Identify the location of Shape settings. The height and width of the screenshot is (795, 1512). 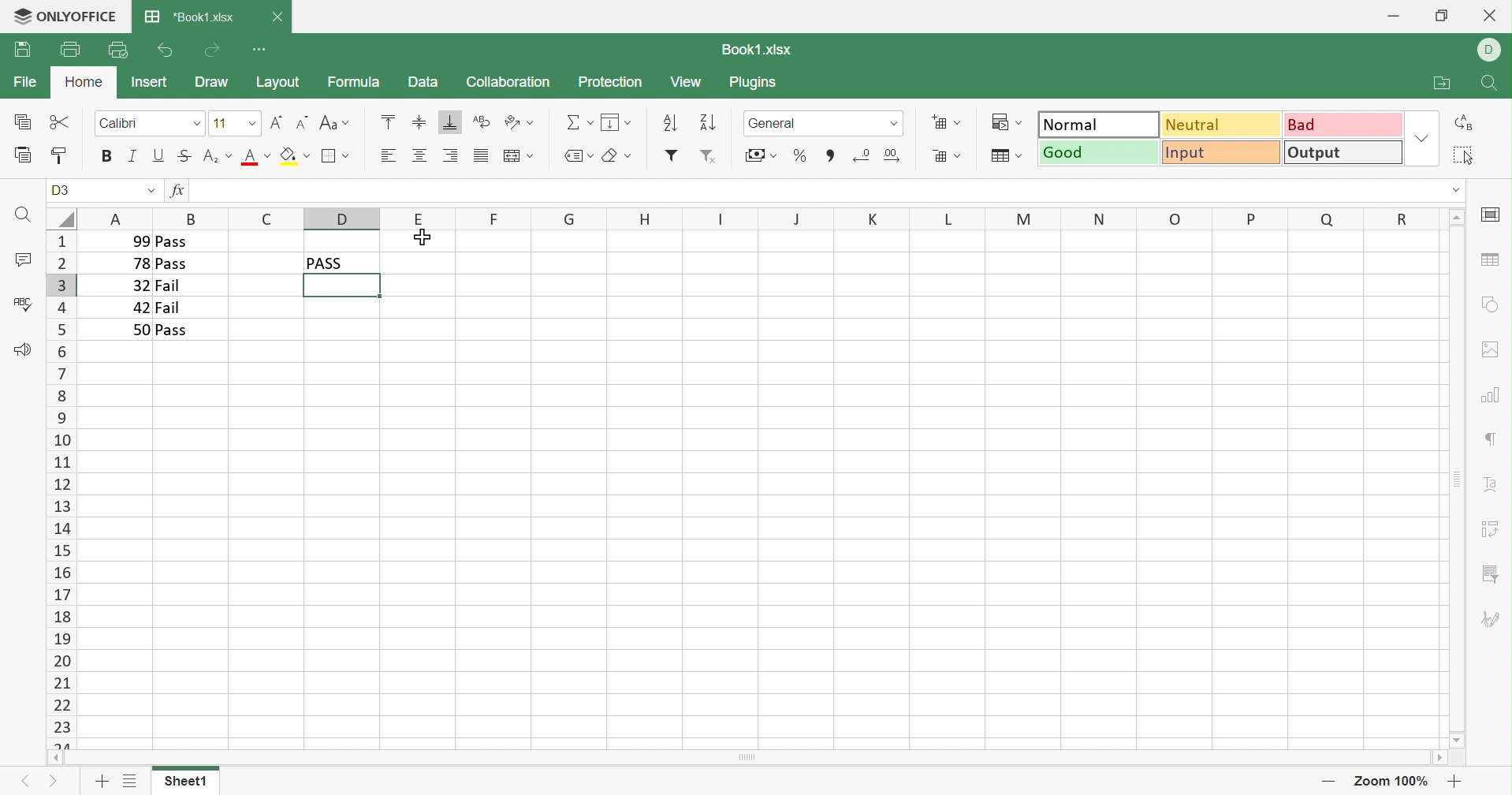
(1491, 304).